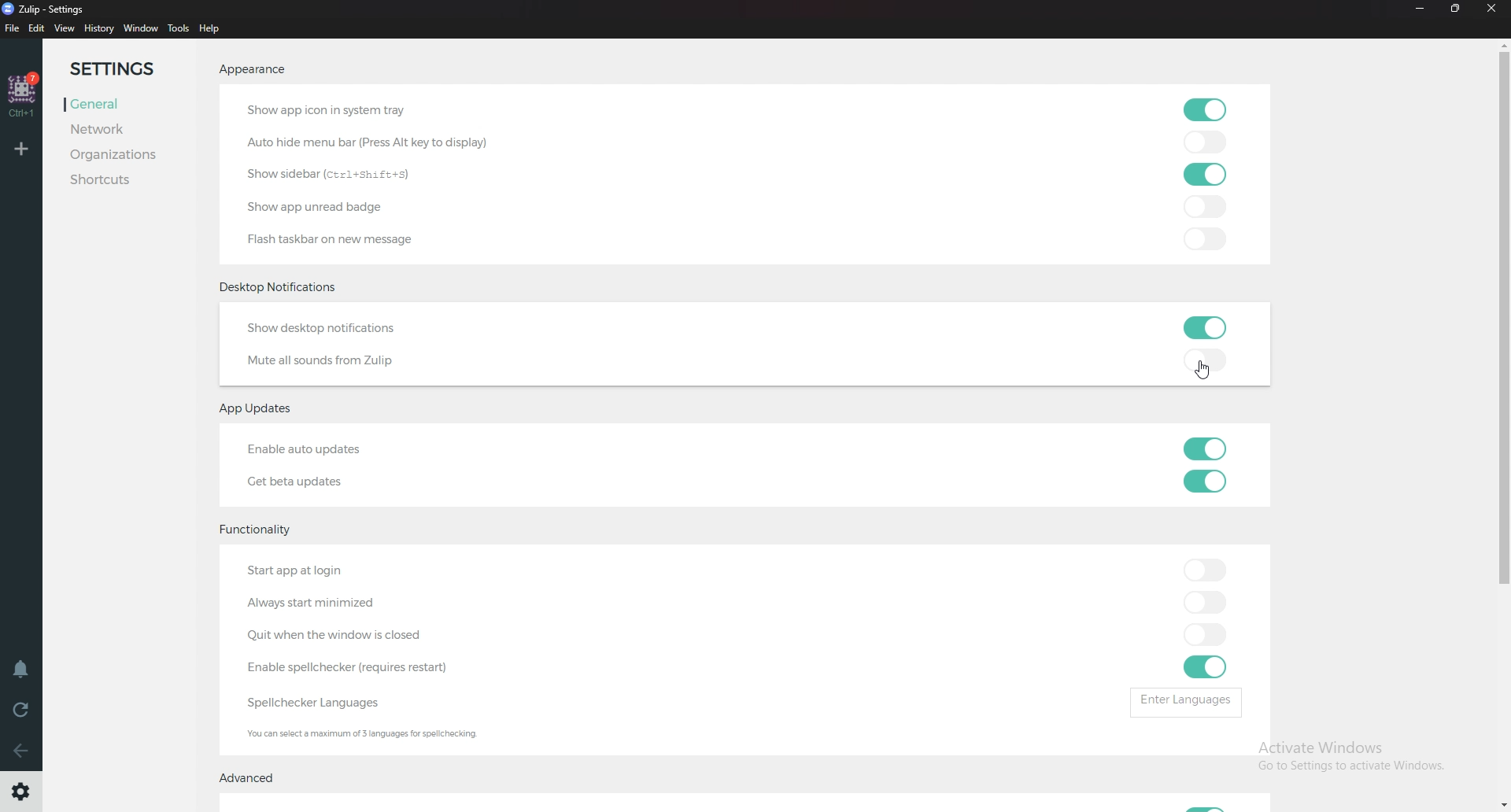 This screenshot has height=812, width=1511. What do you see at coordinates (1206, 175) in the screenshot?
I see `toggle` at bounding box center [1206, 175].